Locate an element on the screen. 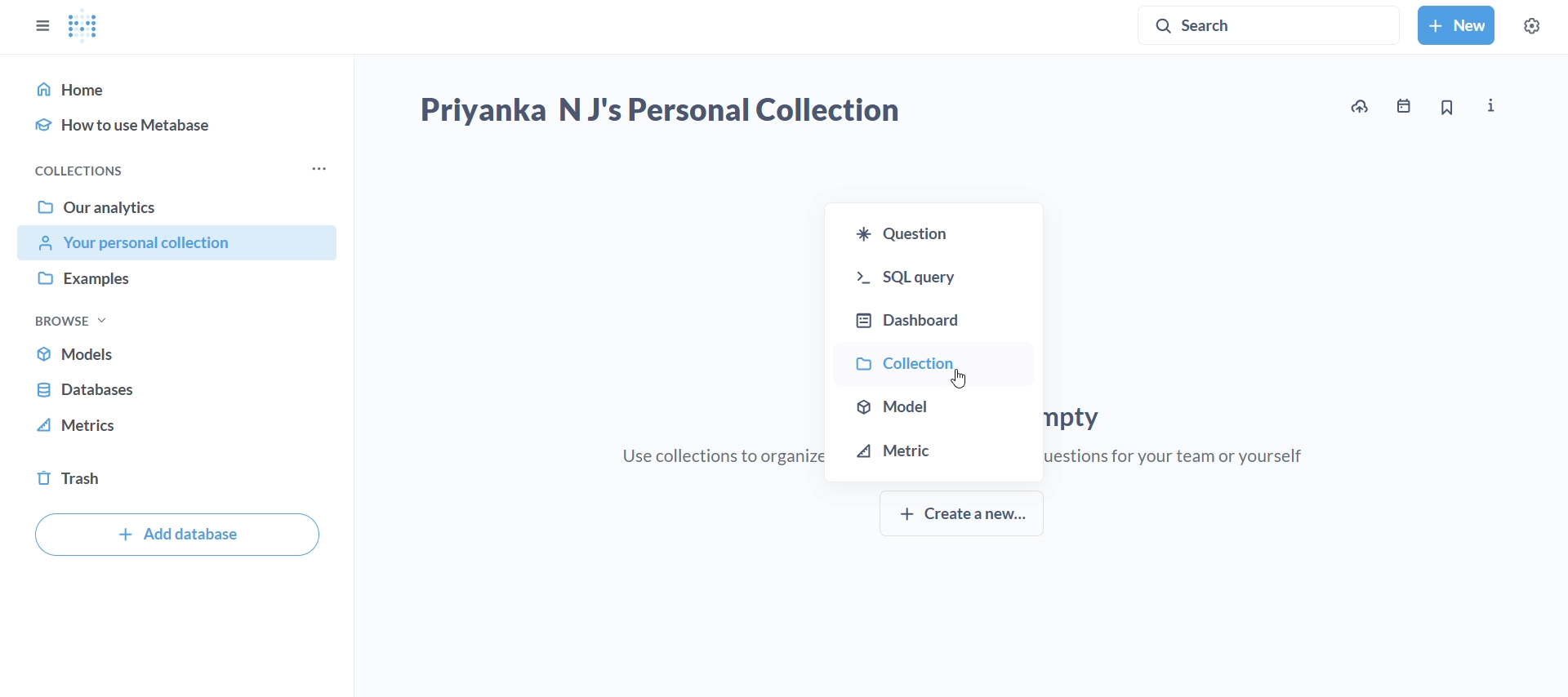  SQL-query is located at coordinates (933, 272).